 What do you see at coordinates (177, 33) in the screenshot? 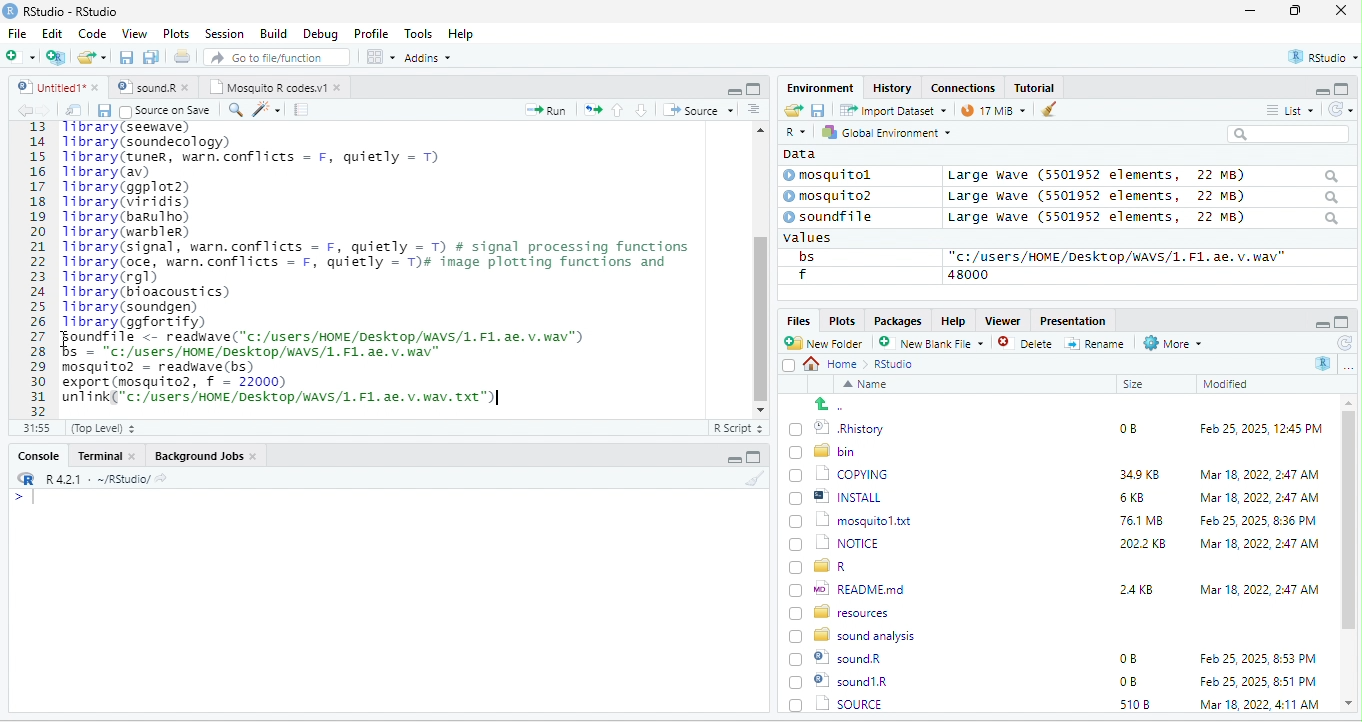
I see `Plots` at bounding box center [177, 33].